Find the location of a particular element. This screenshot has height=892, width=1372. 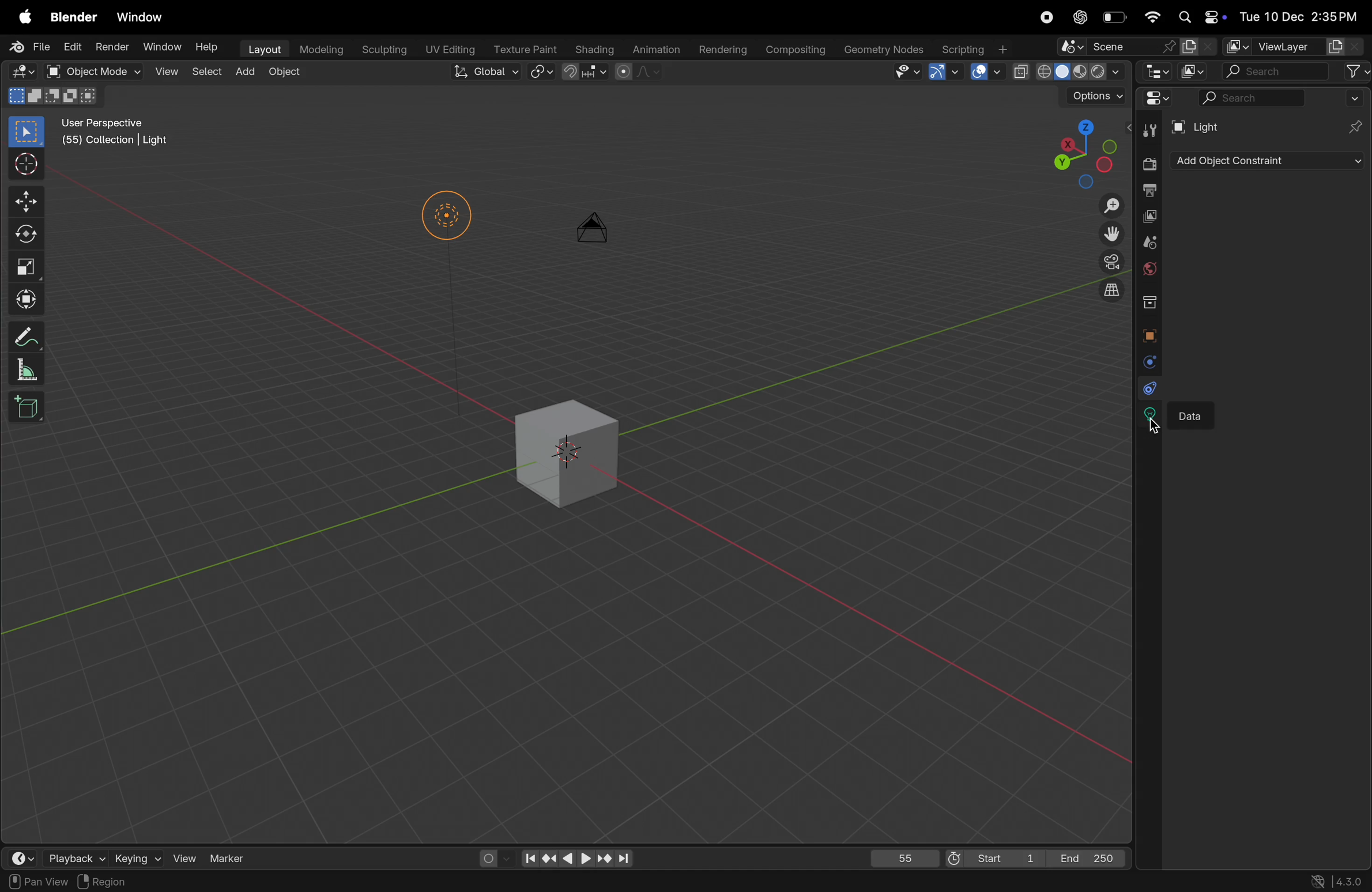

physics is located at coordinates (1146, 362).